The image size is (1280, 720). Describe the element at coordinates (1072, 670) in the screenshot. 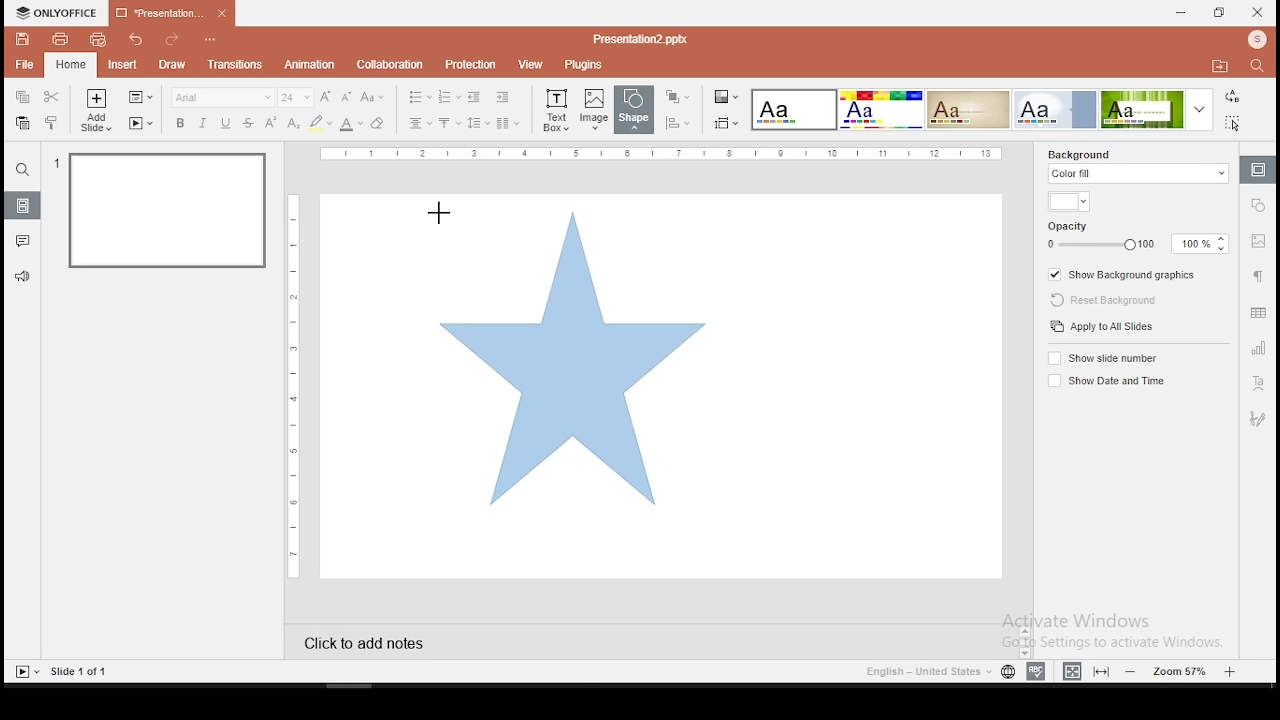

I see `fit to width` at that location.